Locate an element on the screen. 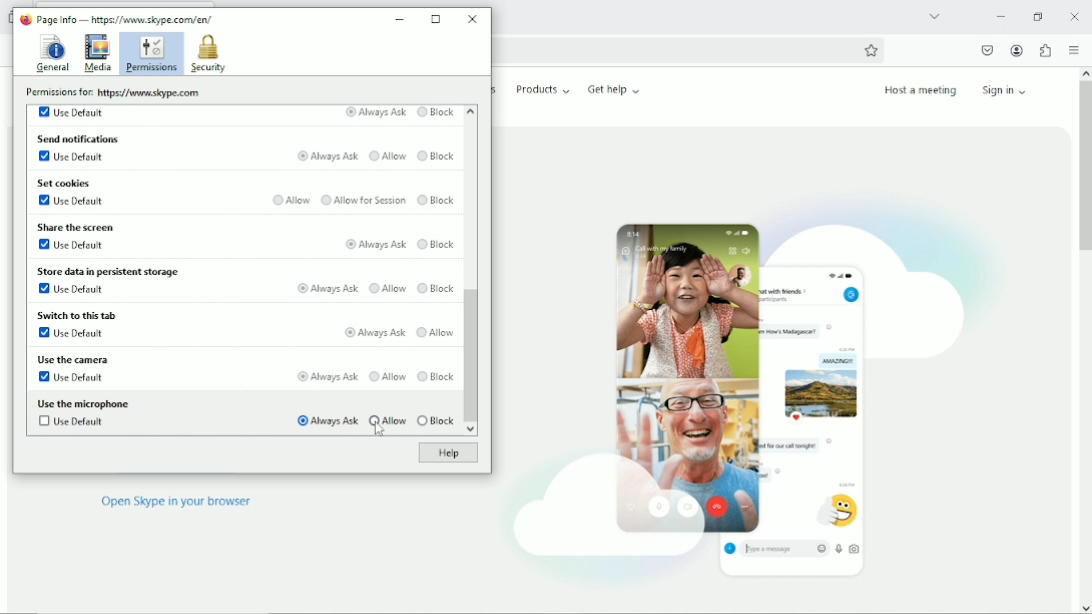 The height and width of the screenshot is (614, 1092). Use default is located at coordinates (69, 333).